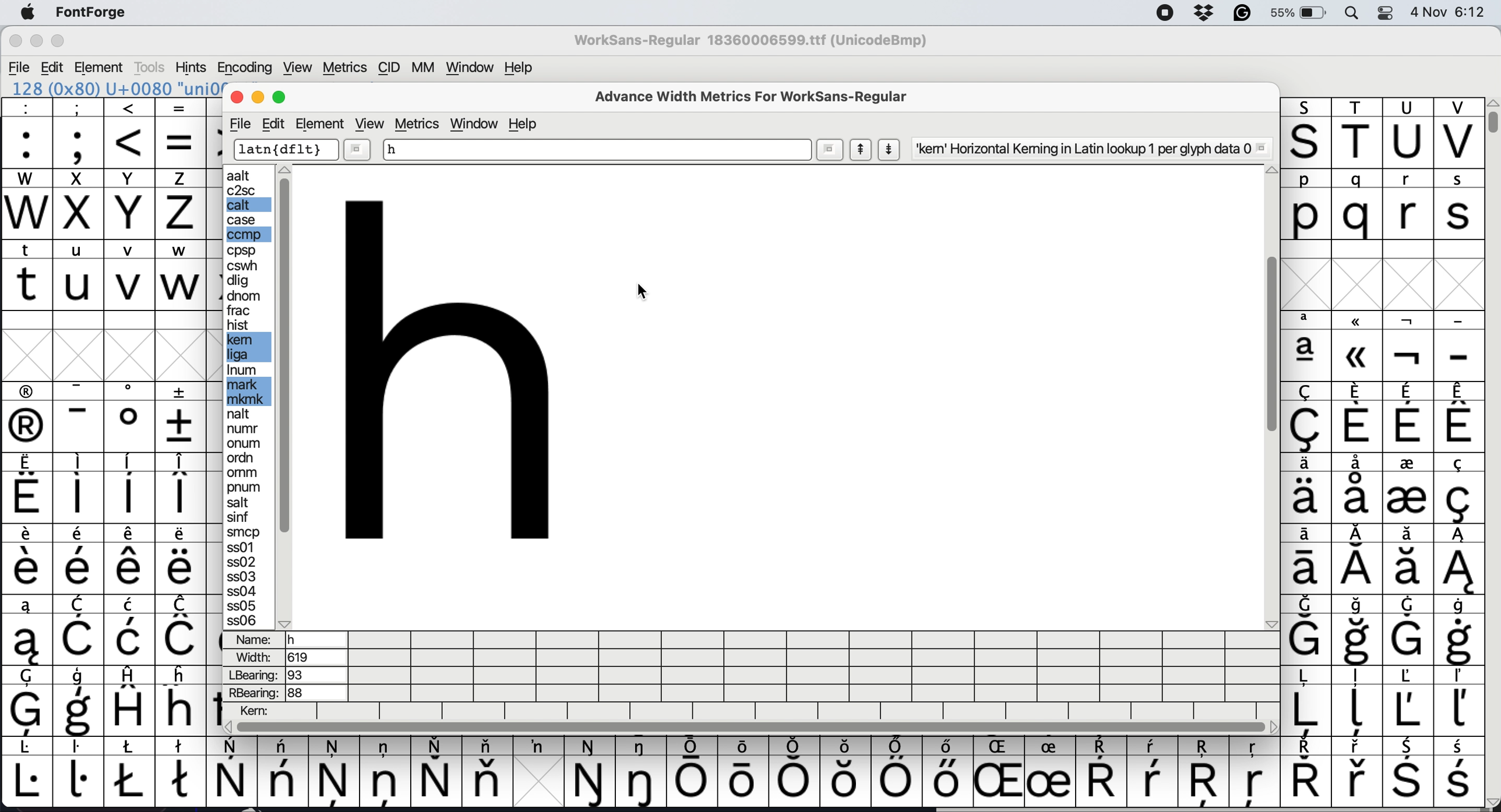  What do you see at coordinates (28, 12) in the screenshot?
I see `system logo` at bounding box center [28, 12].